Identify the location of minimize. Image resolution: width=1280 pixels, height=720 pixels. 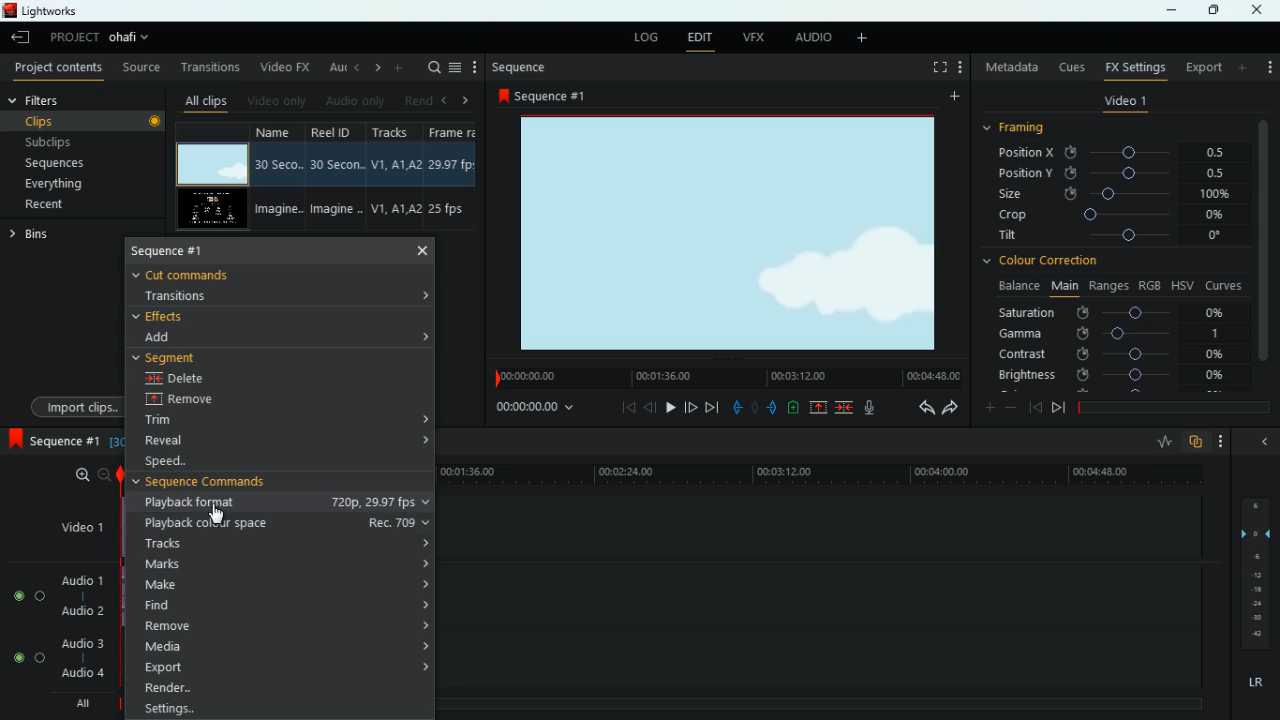
(1170, 10).